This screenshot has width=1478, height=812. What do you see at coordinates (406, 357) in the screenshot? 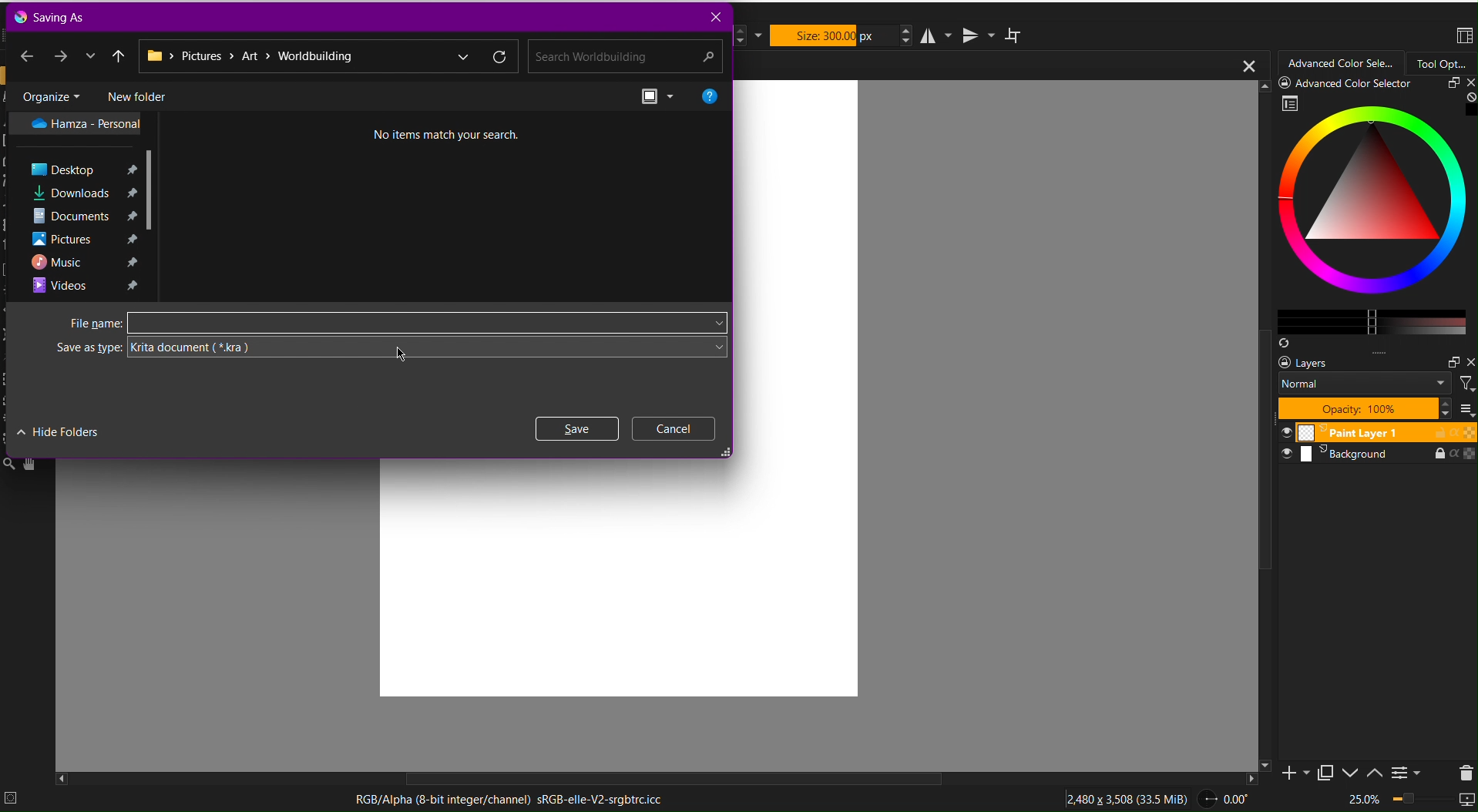
I see `cursor` at bounding box center [406, 357].